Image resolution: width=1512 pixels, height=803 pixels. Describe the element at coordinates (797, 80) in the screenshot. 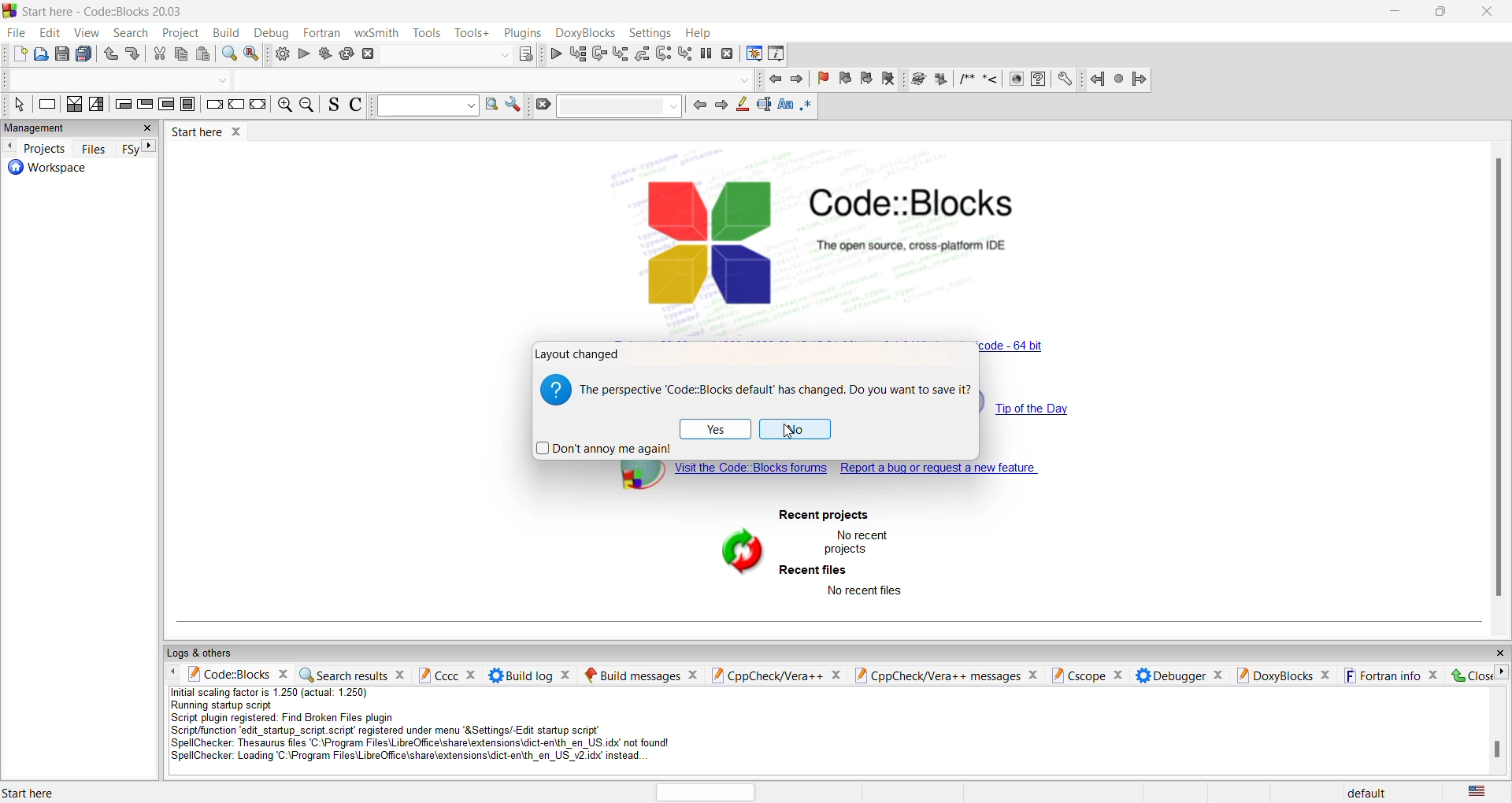

I see `jump forward` at that location.